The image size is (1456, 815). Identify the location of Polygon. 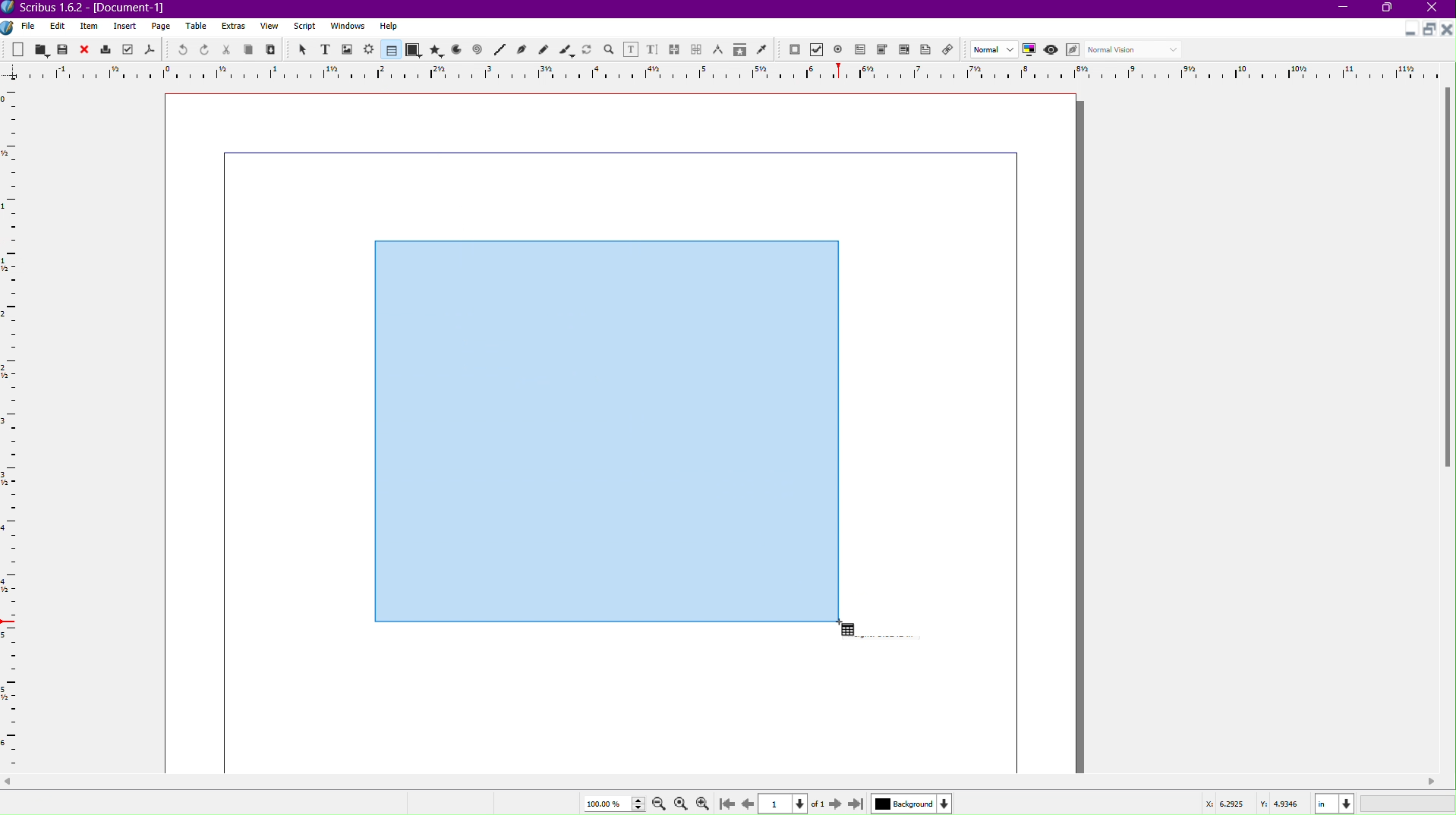
(437, 50).